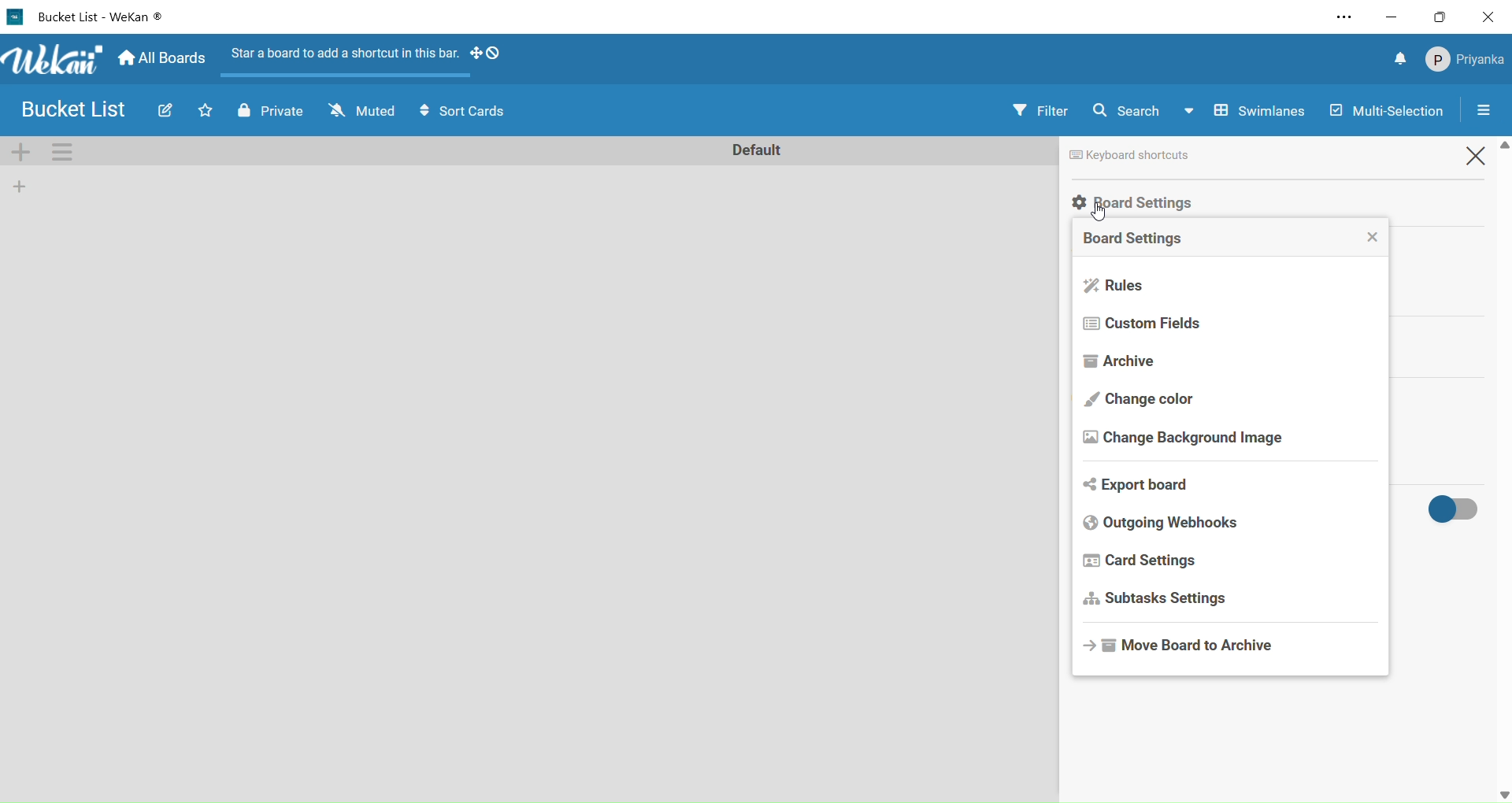 The width and height of the screenshot is (1512, 803). Describe the element at coordinates (206, 110) in the screenshot. I see `click to star this board. Starred board shows up at the top of your board list.` at that location.